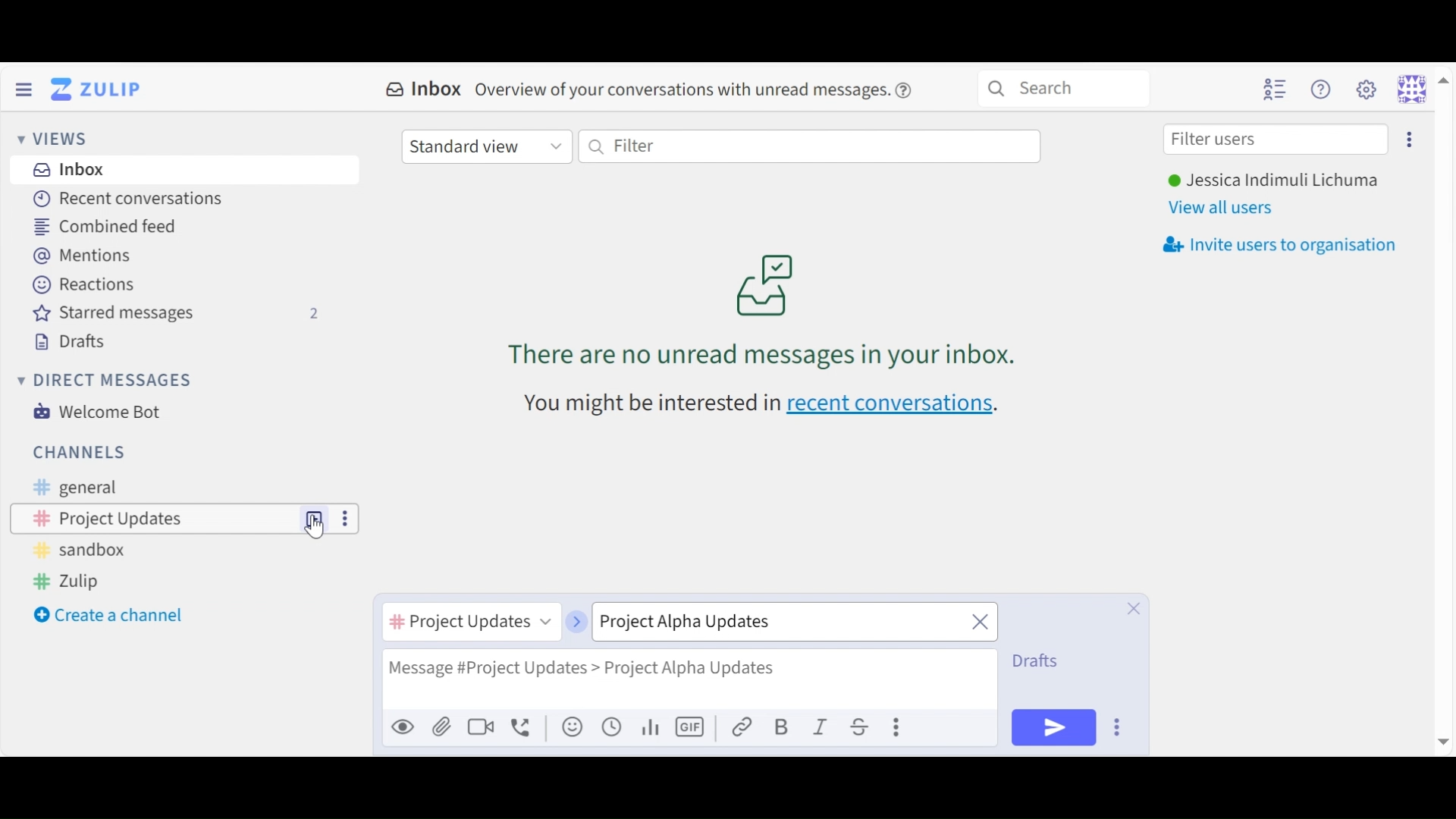 The width and height of the screenshot is (1456, 819). I want to click on Inbox, so click(71, 171).